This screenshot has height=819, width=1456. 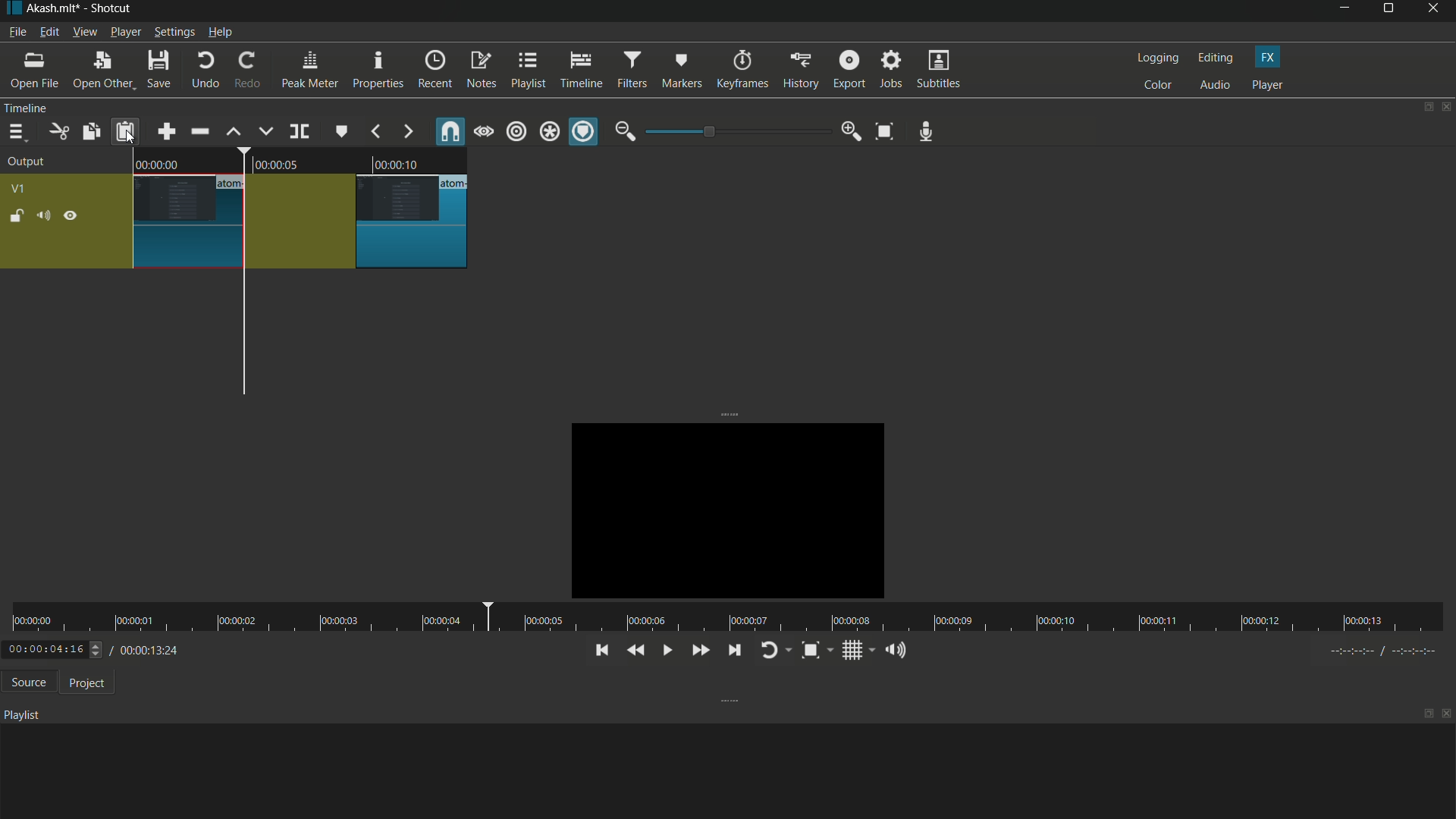 What do you see at coordinates (168, 165) in the screenshot?
I see `00:00:00` at bounding box center [168, 165].